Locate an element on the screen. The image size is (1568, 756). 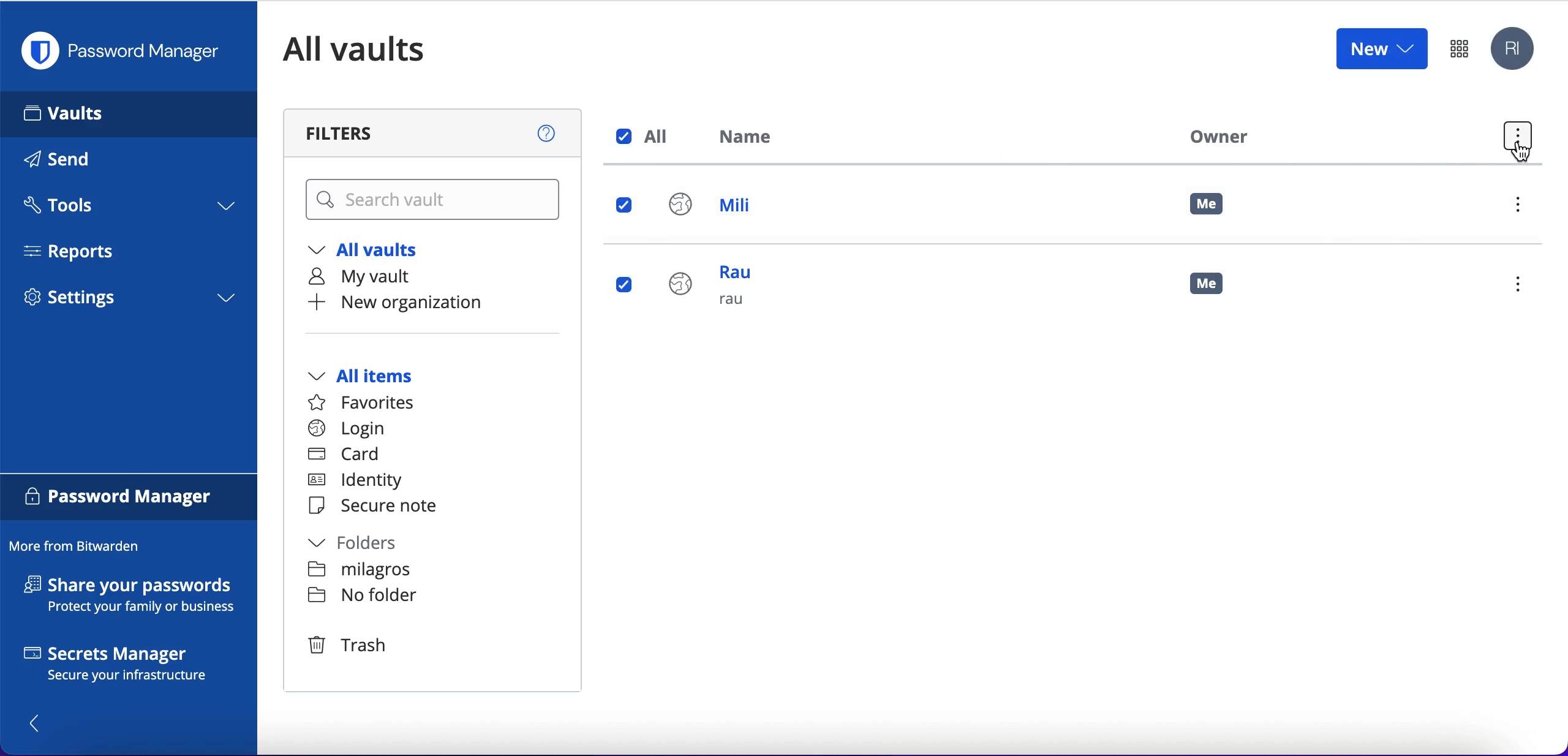
all vaults is located at coordinates (372, 251).